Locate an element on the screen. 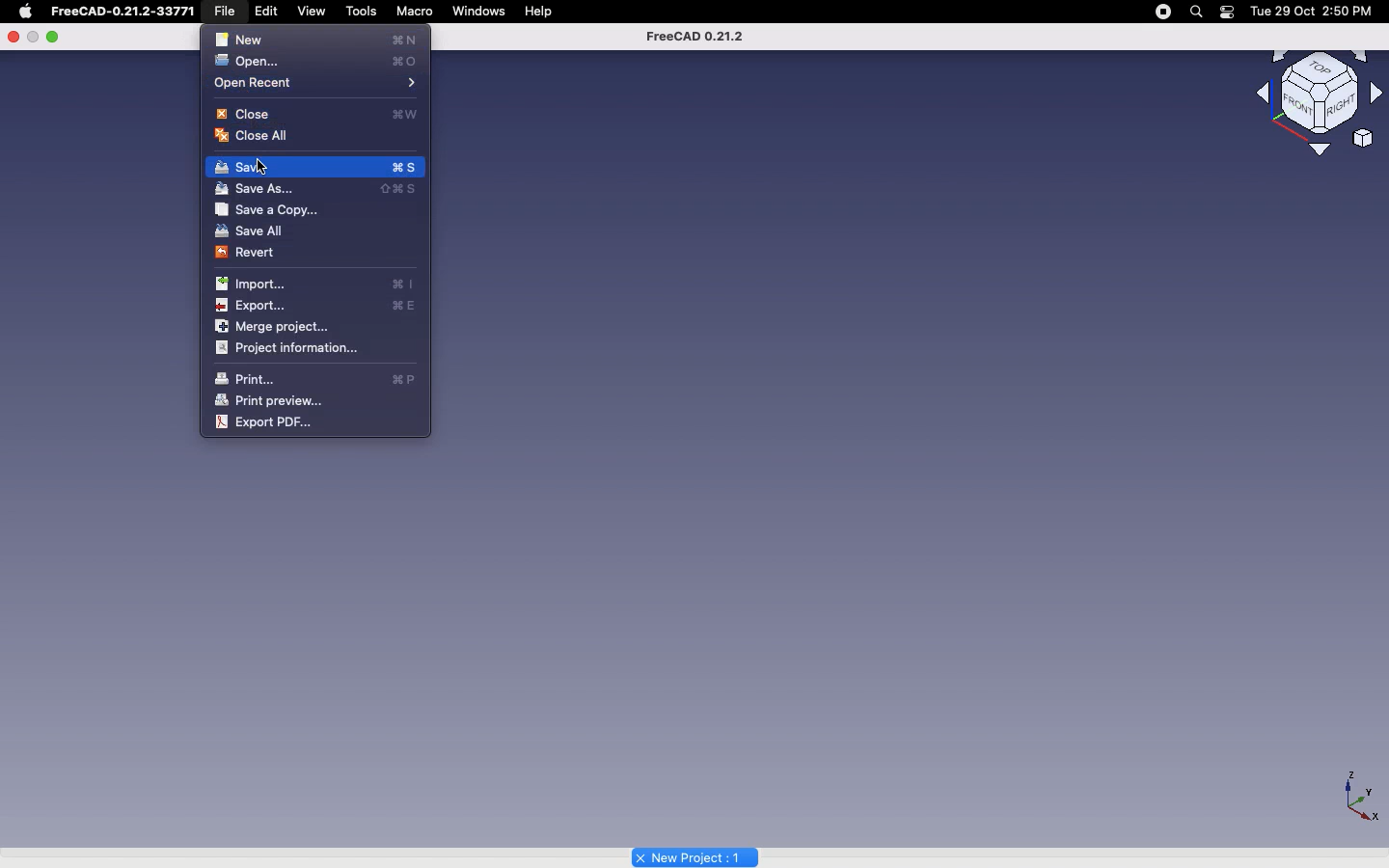 The height and width of the screenshot is (868, 1389). Print preview is located at coordinates (270, 400).